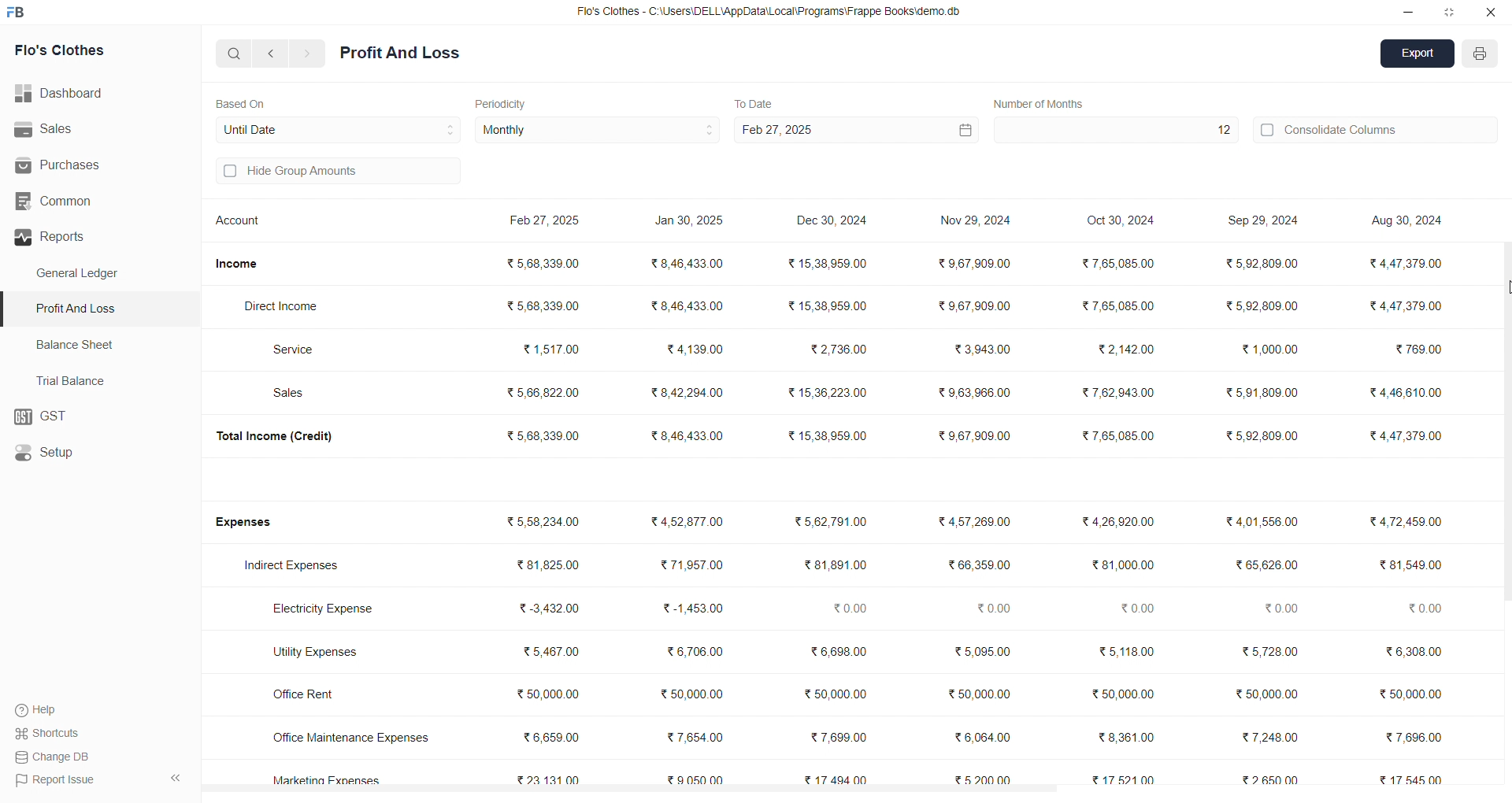  What do you see at coordinates (1258, 521) in the screenshot?
I see `₹4,01,556.00` at bounding box center [1258, 521].